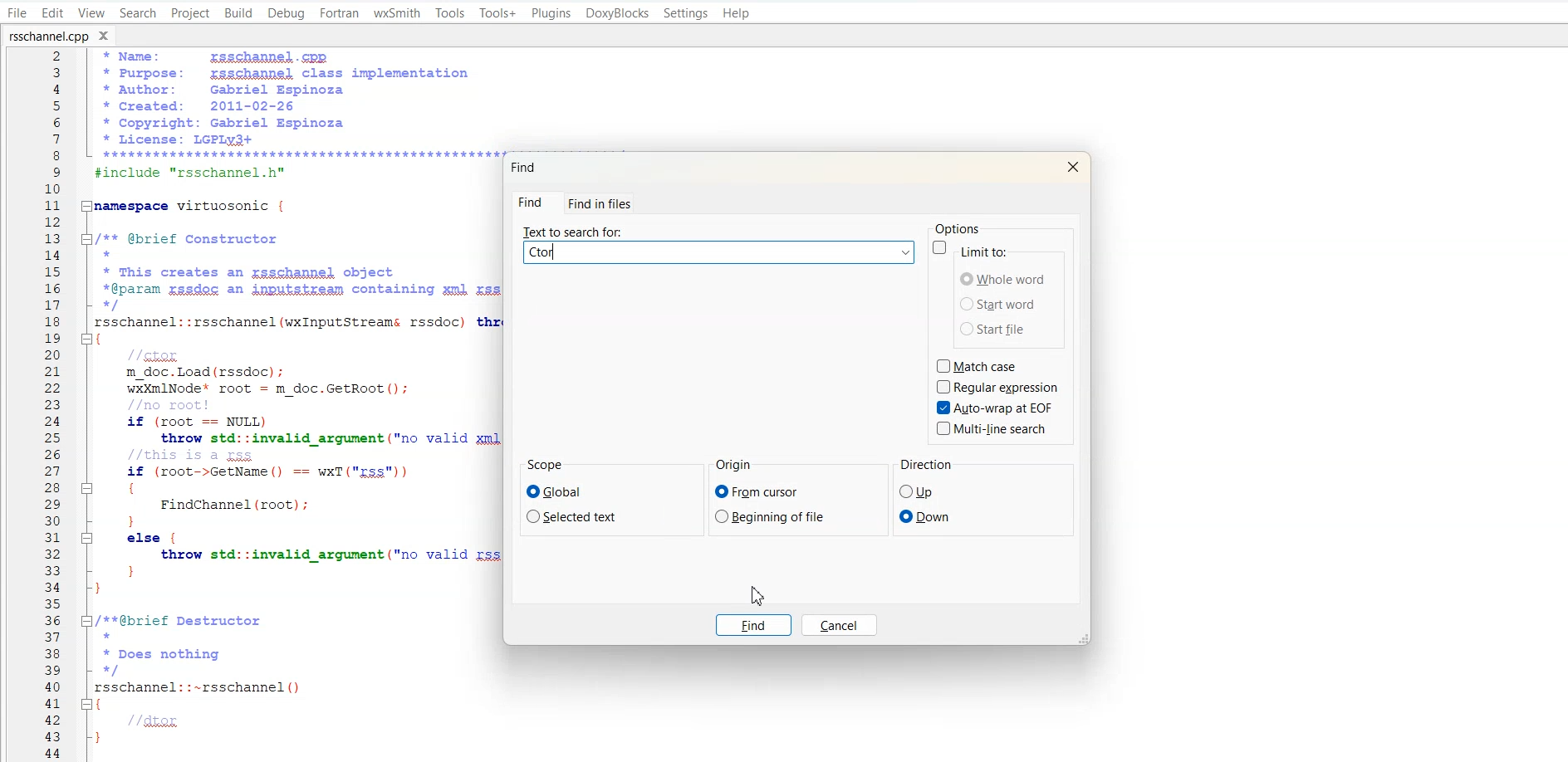 The height and width of the screenshot is (762, 1568). Describe the element at coordinates (287, 12) in the screenshot. I see `Debug` at that location.